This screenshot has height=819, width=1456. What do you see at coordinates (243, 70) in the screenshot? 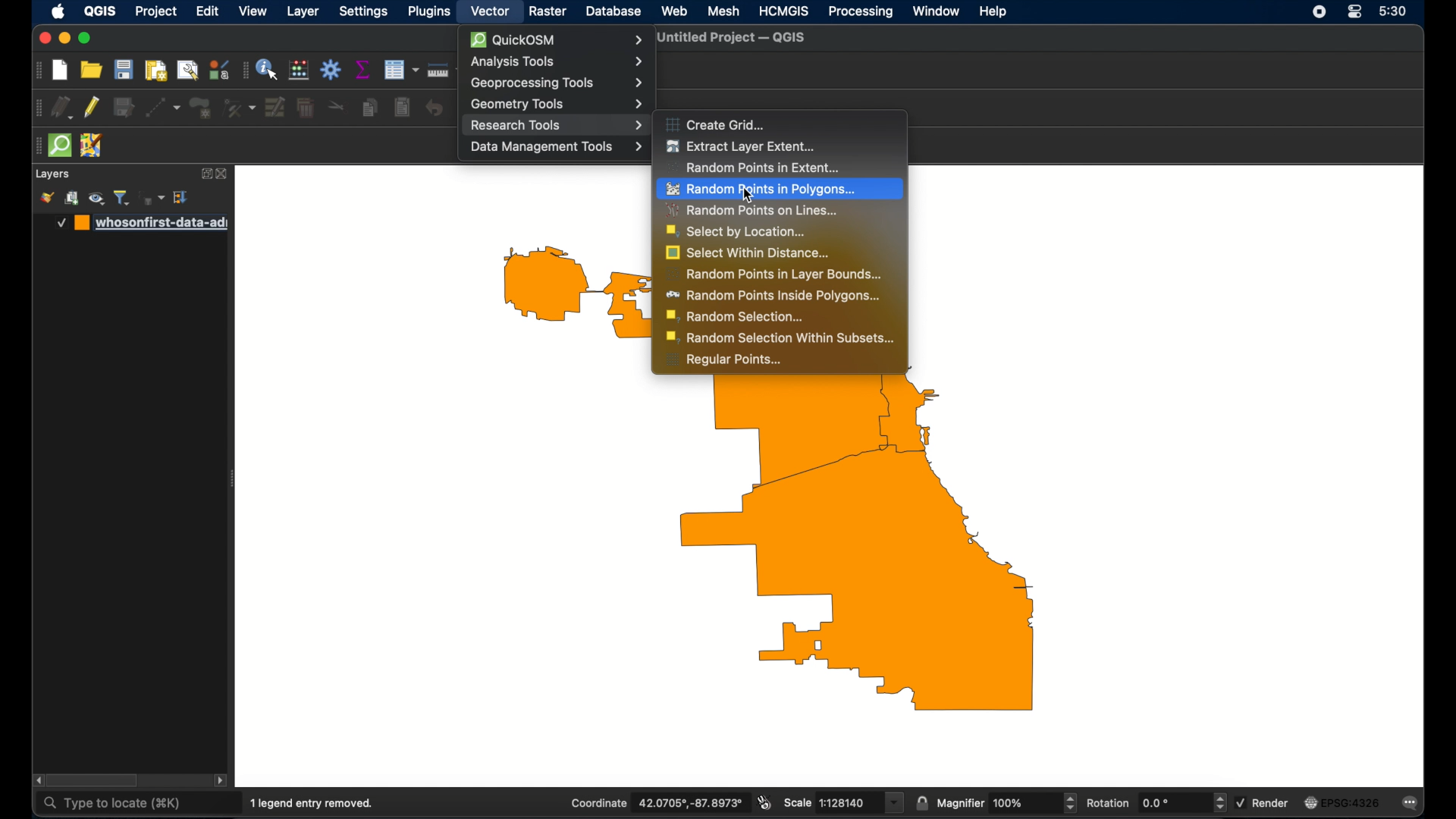
I see `drag handle` at bounding box center [243, 70].